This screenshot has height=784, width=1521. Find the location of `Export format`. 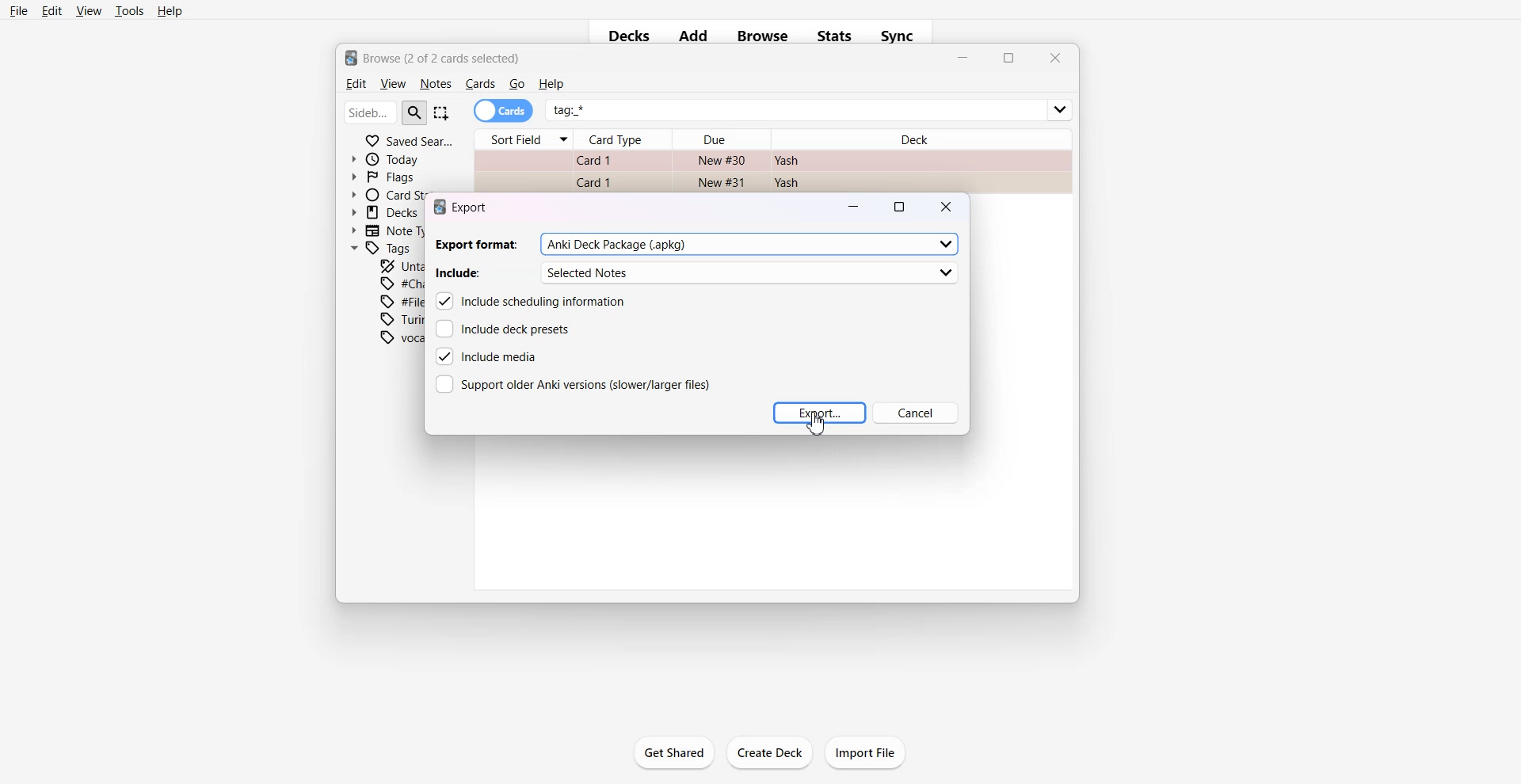

Export format is located at coordinates (697, 244).